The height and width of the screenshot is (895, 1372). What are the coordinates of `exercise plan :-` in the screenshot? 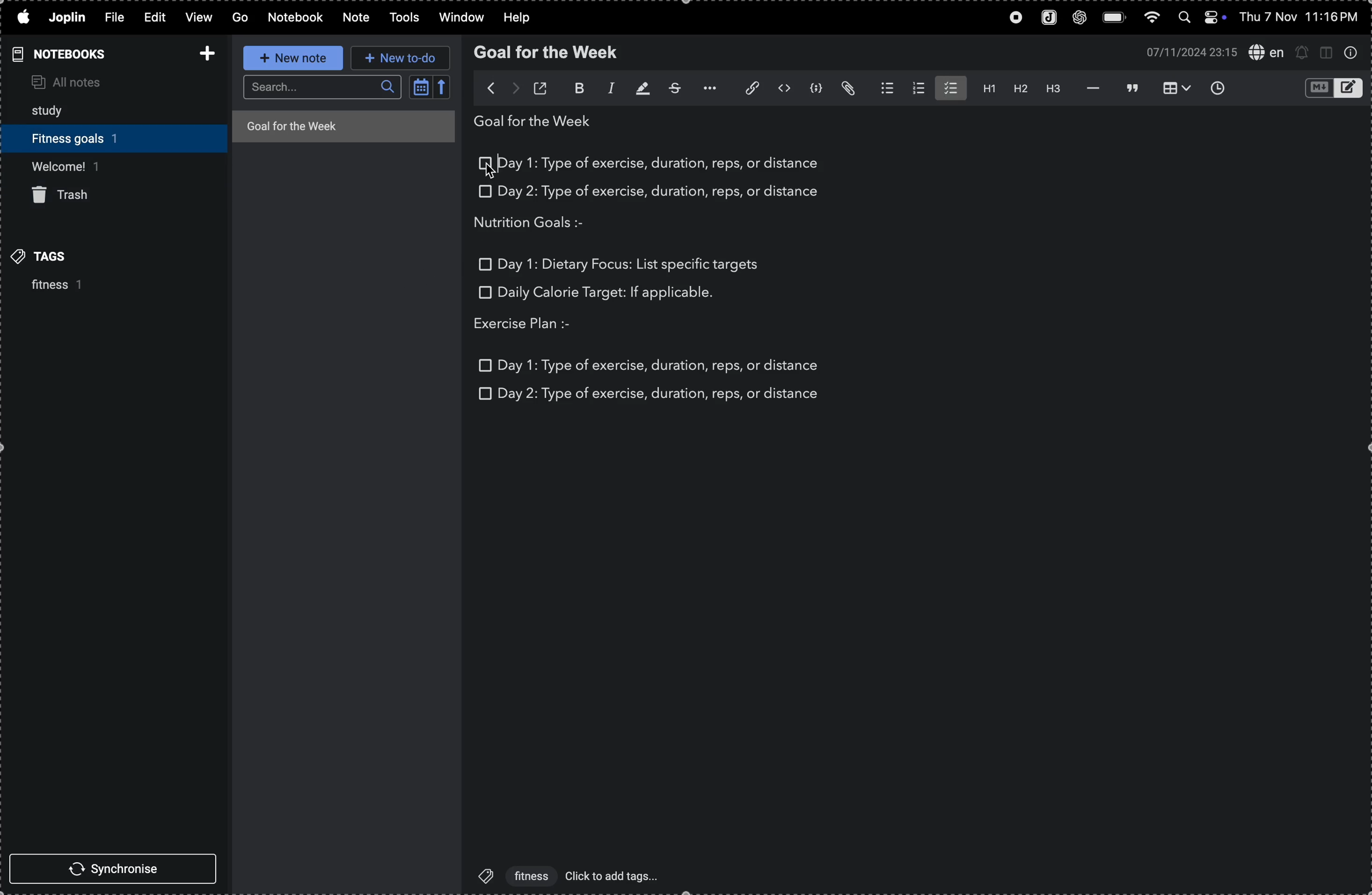 It's located at (534, 325).